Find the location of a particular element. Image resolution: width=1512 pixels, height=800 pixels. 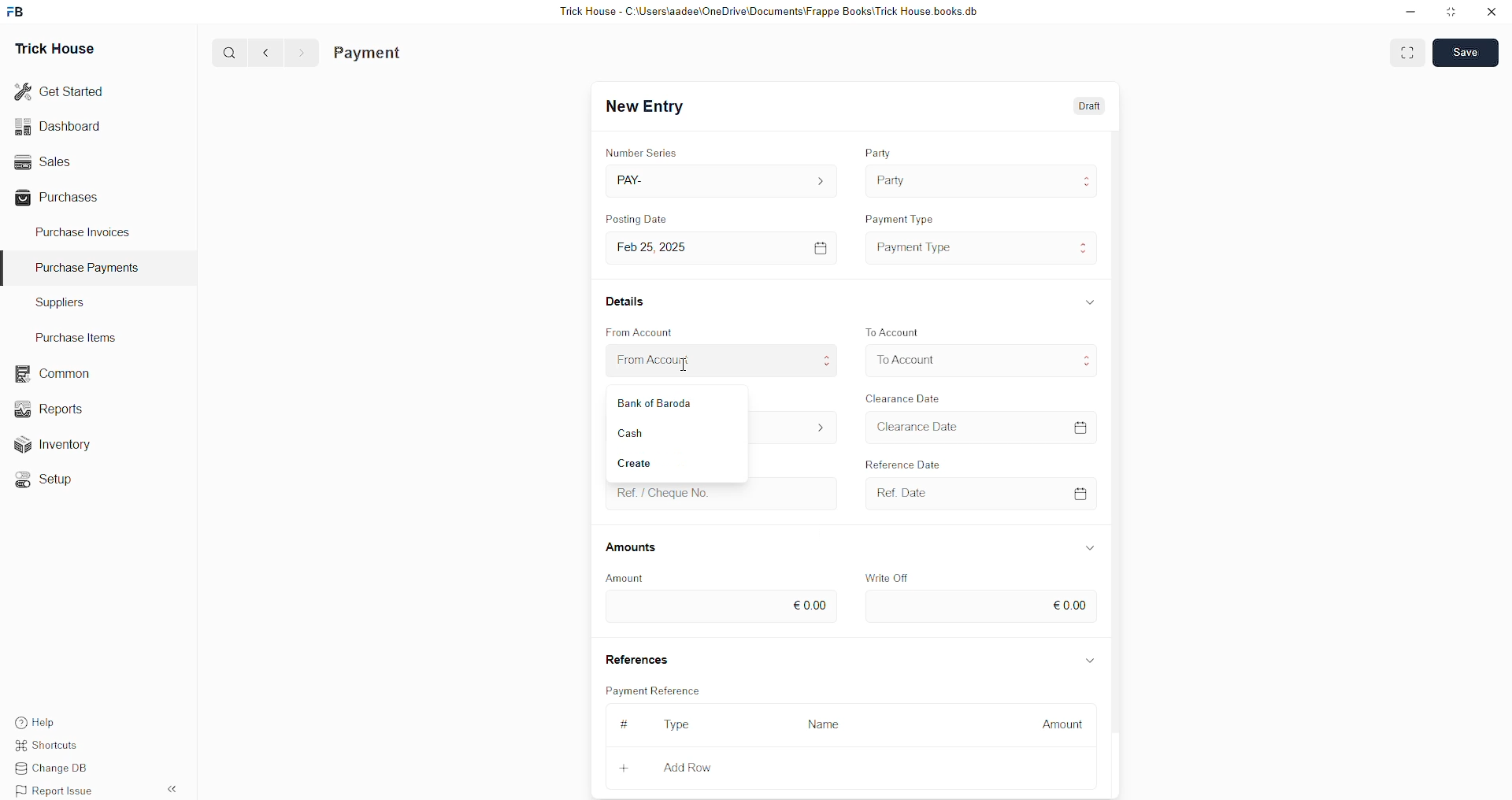

Purchase Invoice is located at coordinates (406, 53).